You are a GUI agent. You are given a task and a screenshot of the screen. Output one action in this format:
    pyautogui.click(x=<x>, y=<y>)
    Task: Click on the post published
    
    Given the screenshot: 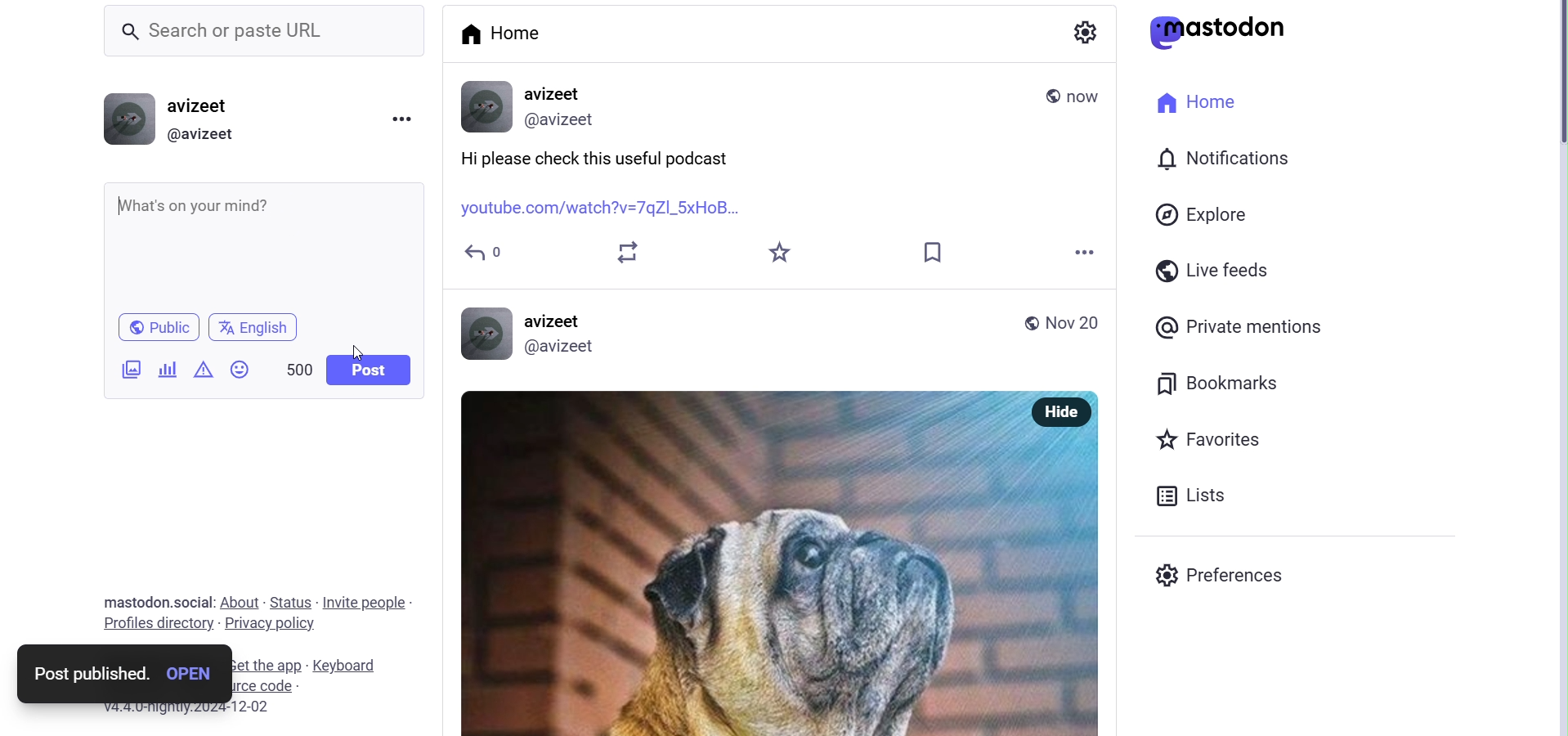 What is the action you would take?
    pyautogui.click(x=87, y=669)
    